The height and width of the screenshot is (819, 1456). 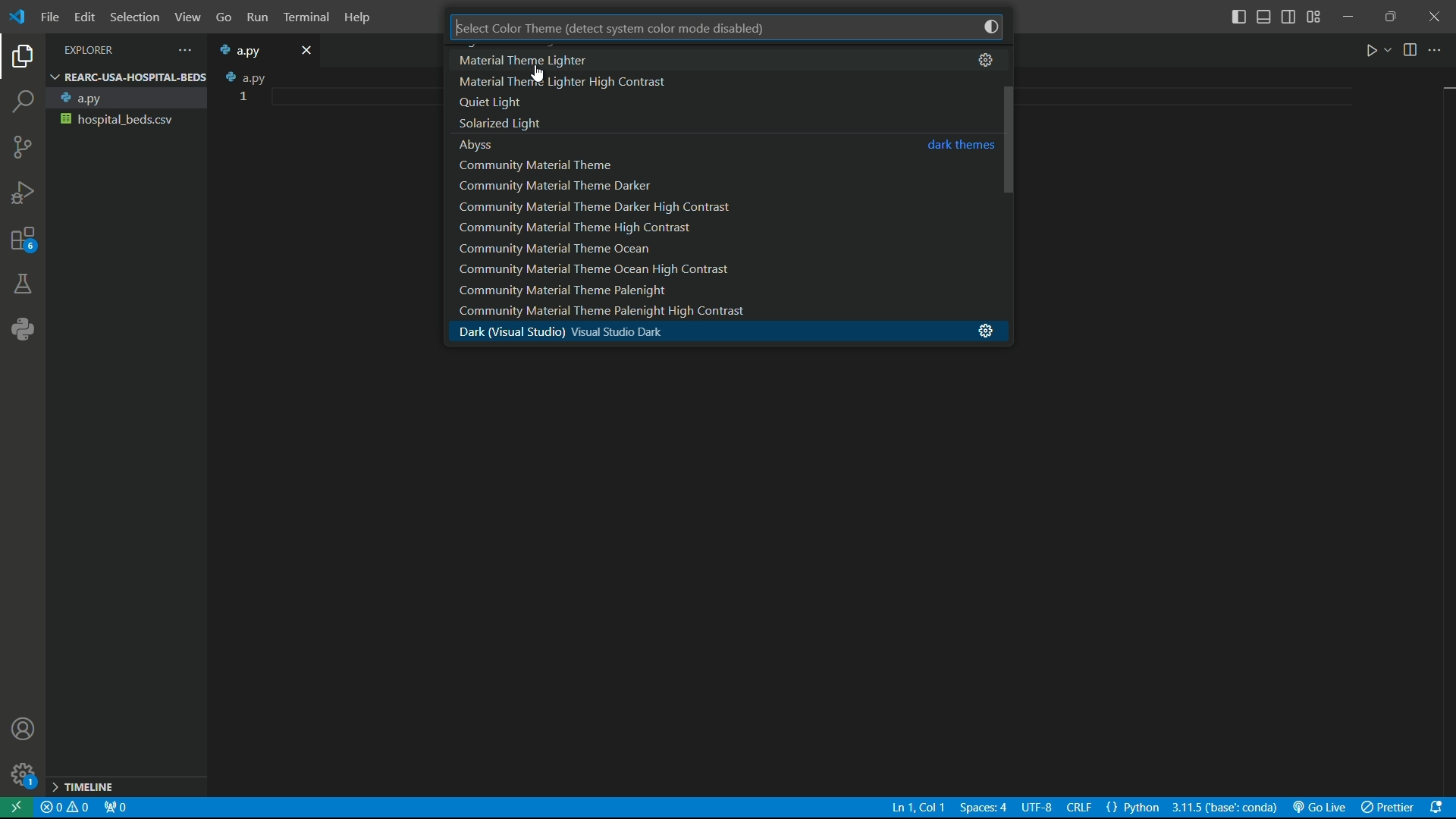 What do you see at coordinates (307, 18) in the screenshot?
I see `terminal menu` at bounding box center [307, 18].